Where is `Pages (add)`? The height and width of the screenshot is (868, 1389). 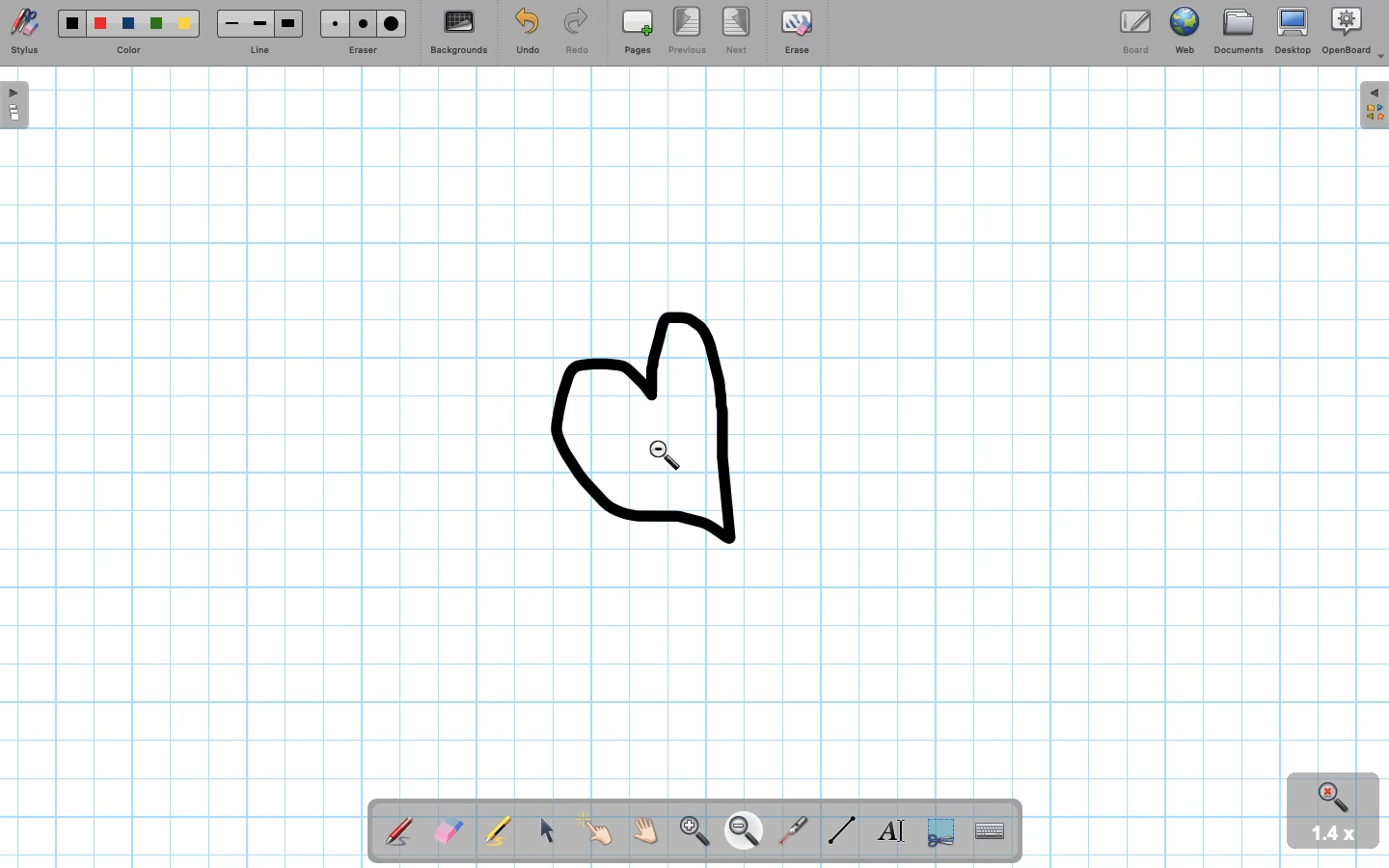
Pages (add) is located at coordinates (635, 32).